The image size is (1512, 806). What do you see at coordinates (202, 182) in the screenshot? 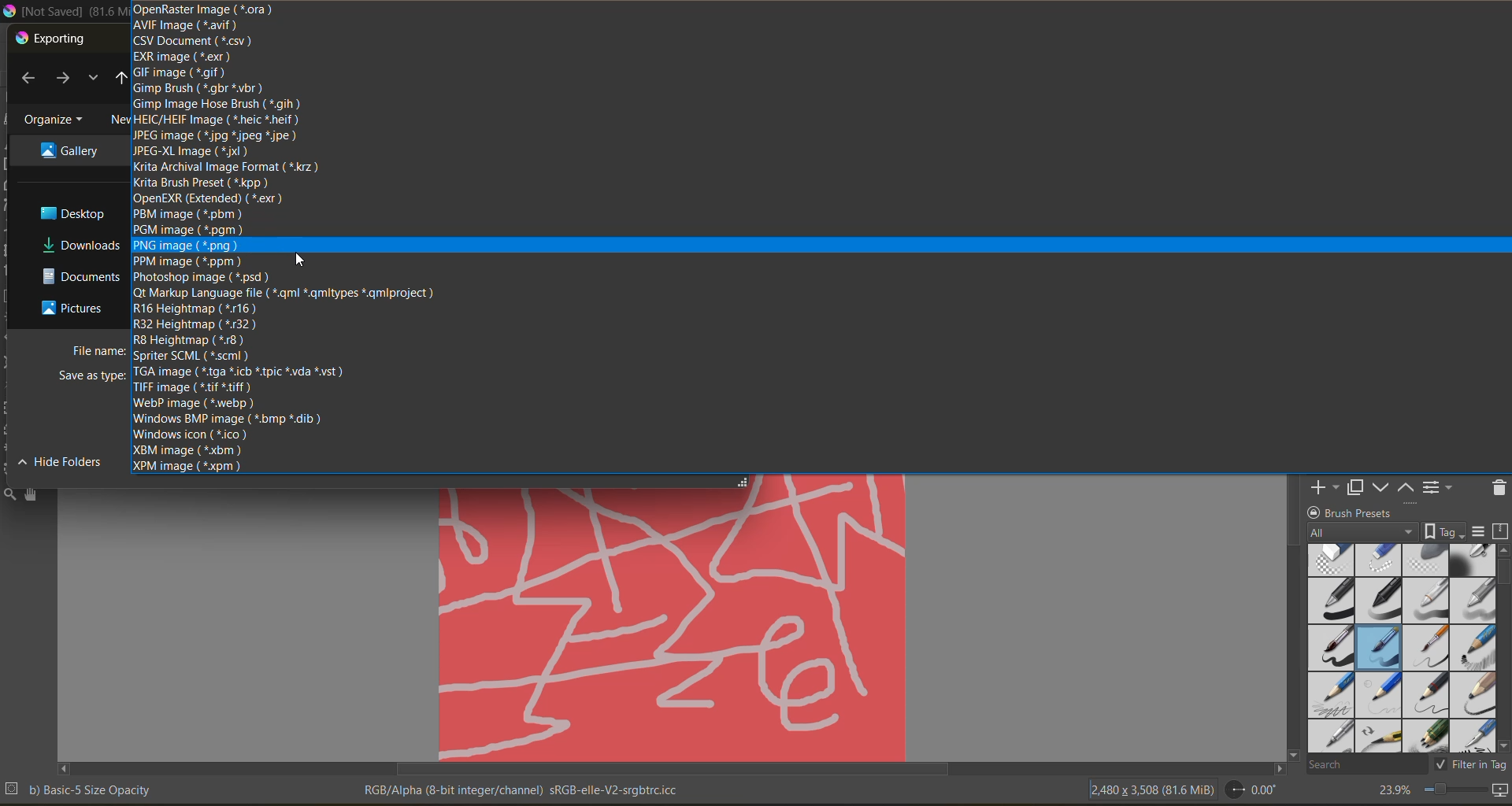
I see `krita brush preset` at bounding box center [202, 182].